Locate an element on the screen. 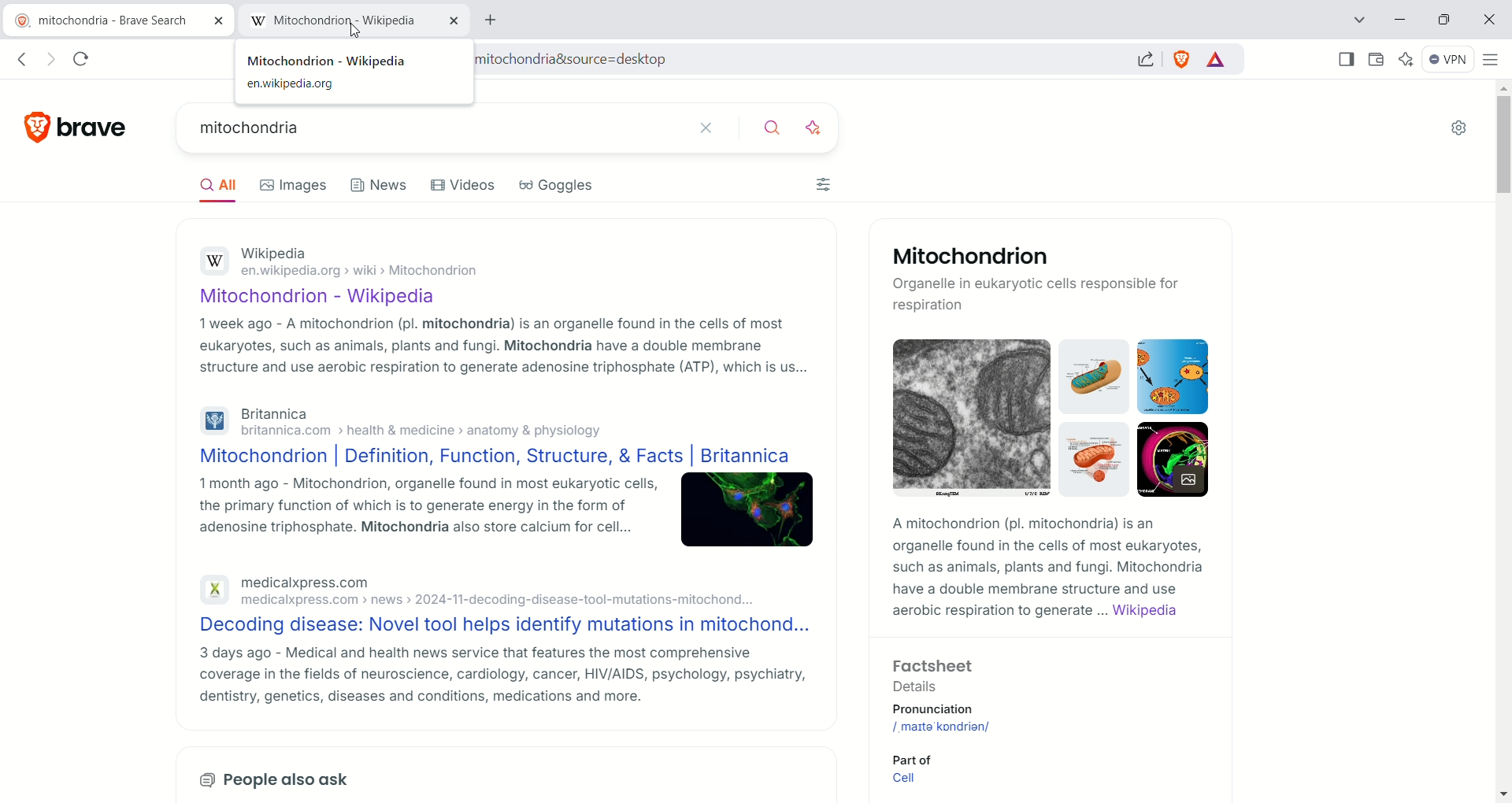 Image resolution: width=1512 pixels, height=803 pixels. search bar is located at coordinates (424, 128).